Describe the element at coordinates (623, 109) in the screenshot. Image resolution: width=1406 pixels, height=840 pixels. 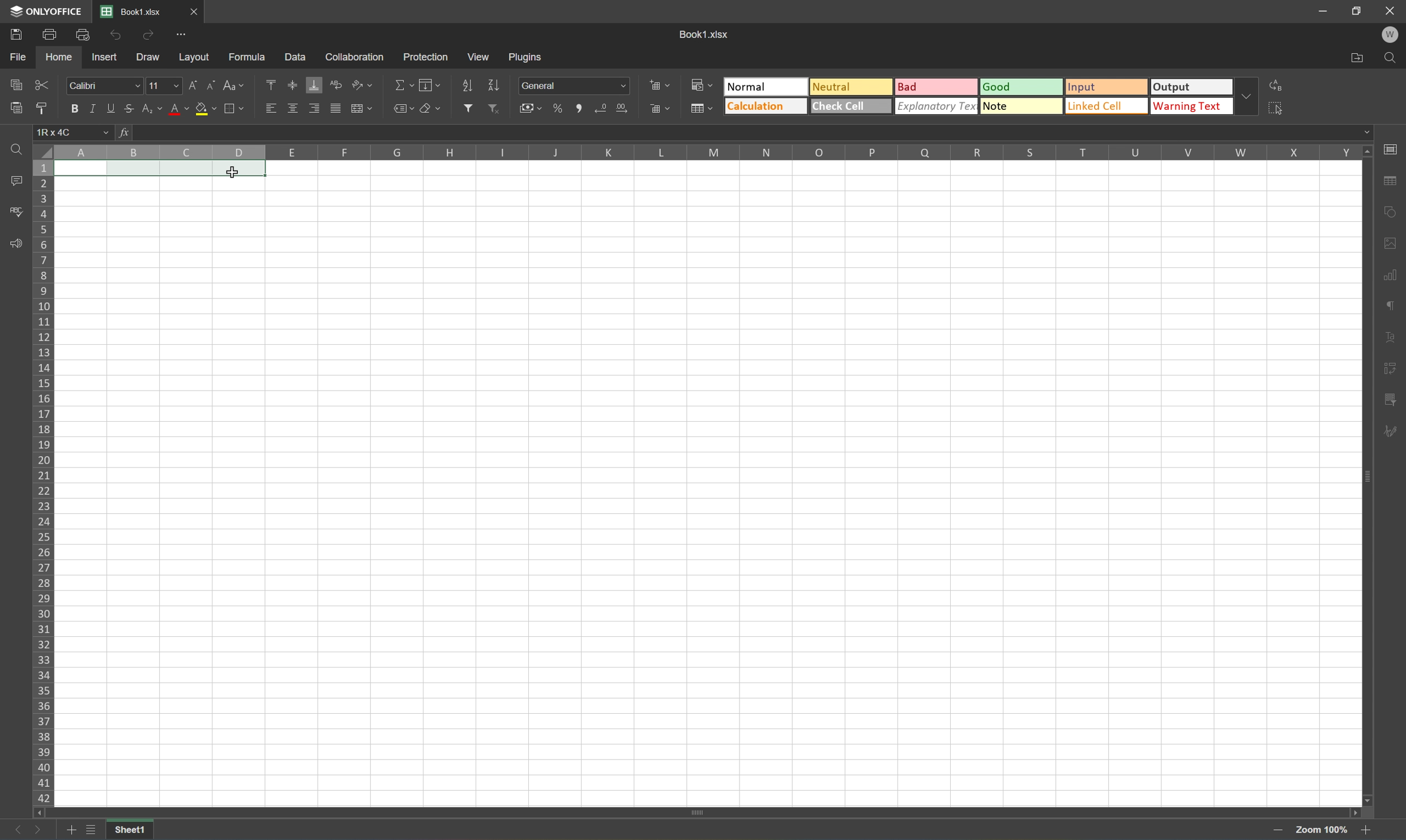
I see `Increase decimal` at that location.